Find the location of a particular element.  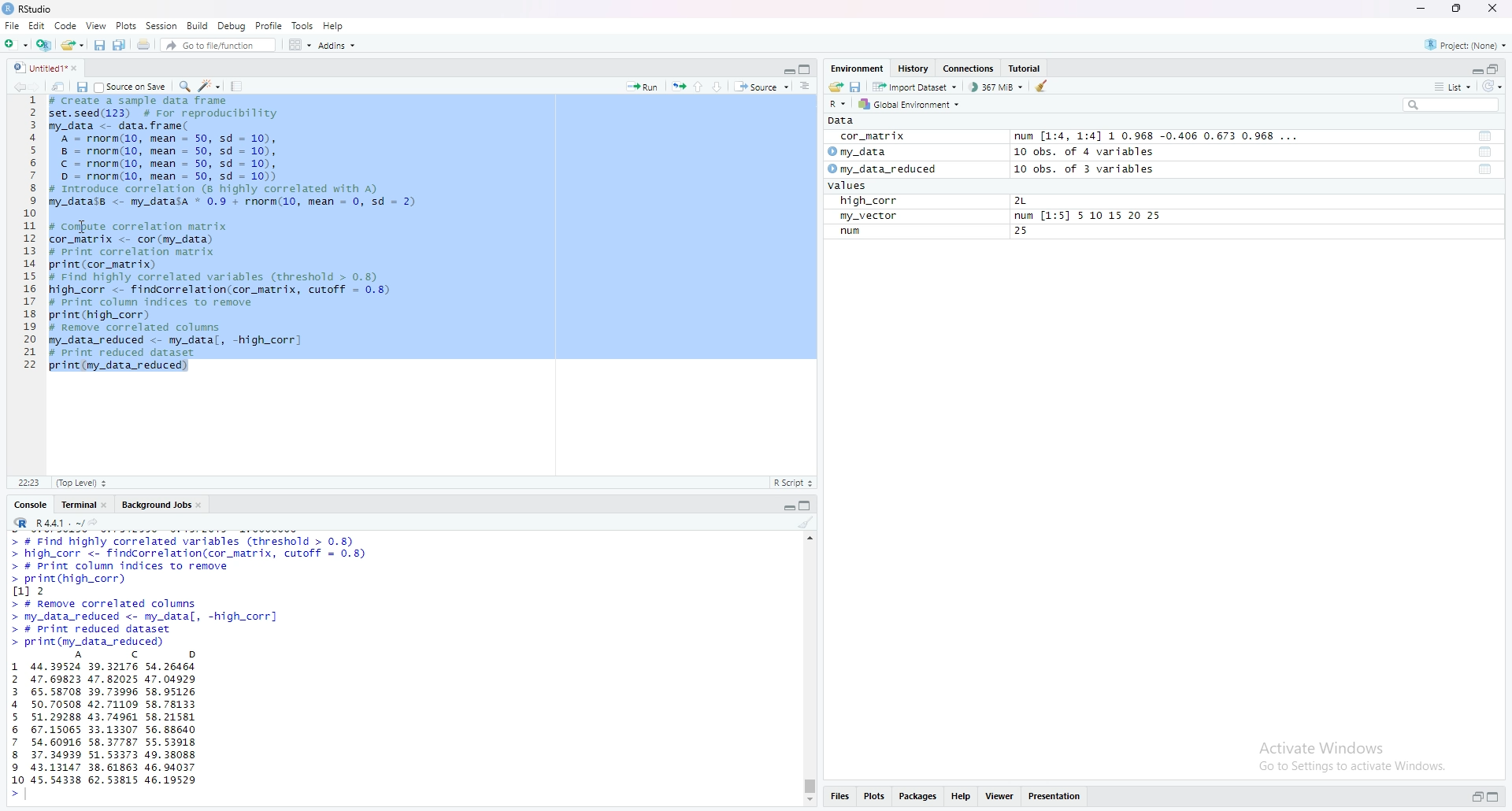

Source on save is located at coordinates (132, 87).